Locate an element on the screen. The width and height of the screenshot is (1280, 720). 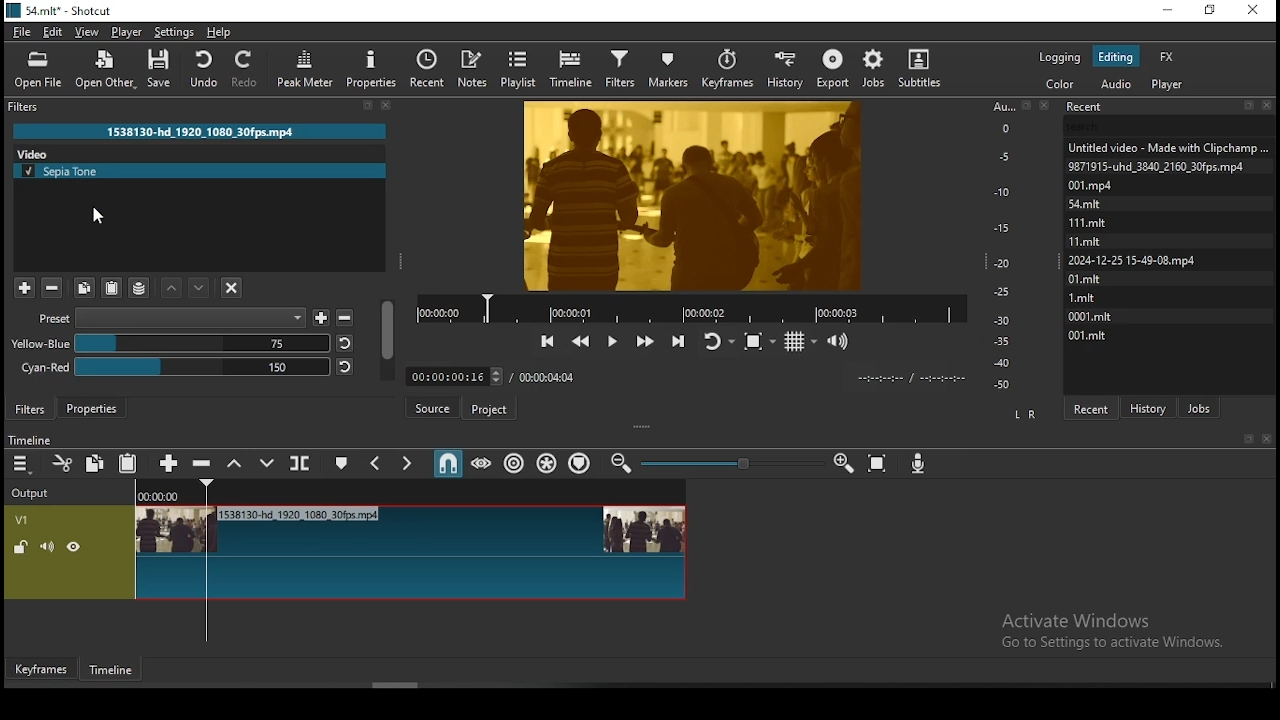
Untitled video - Made with Clipchamp... is located at coordinates (1172, 147).